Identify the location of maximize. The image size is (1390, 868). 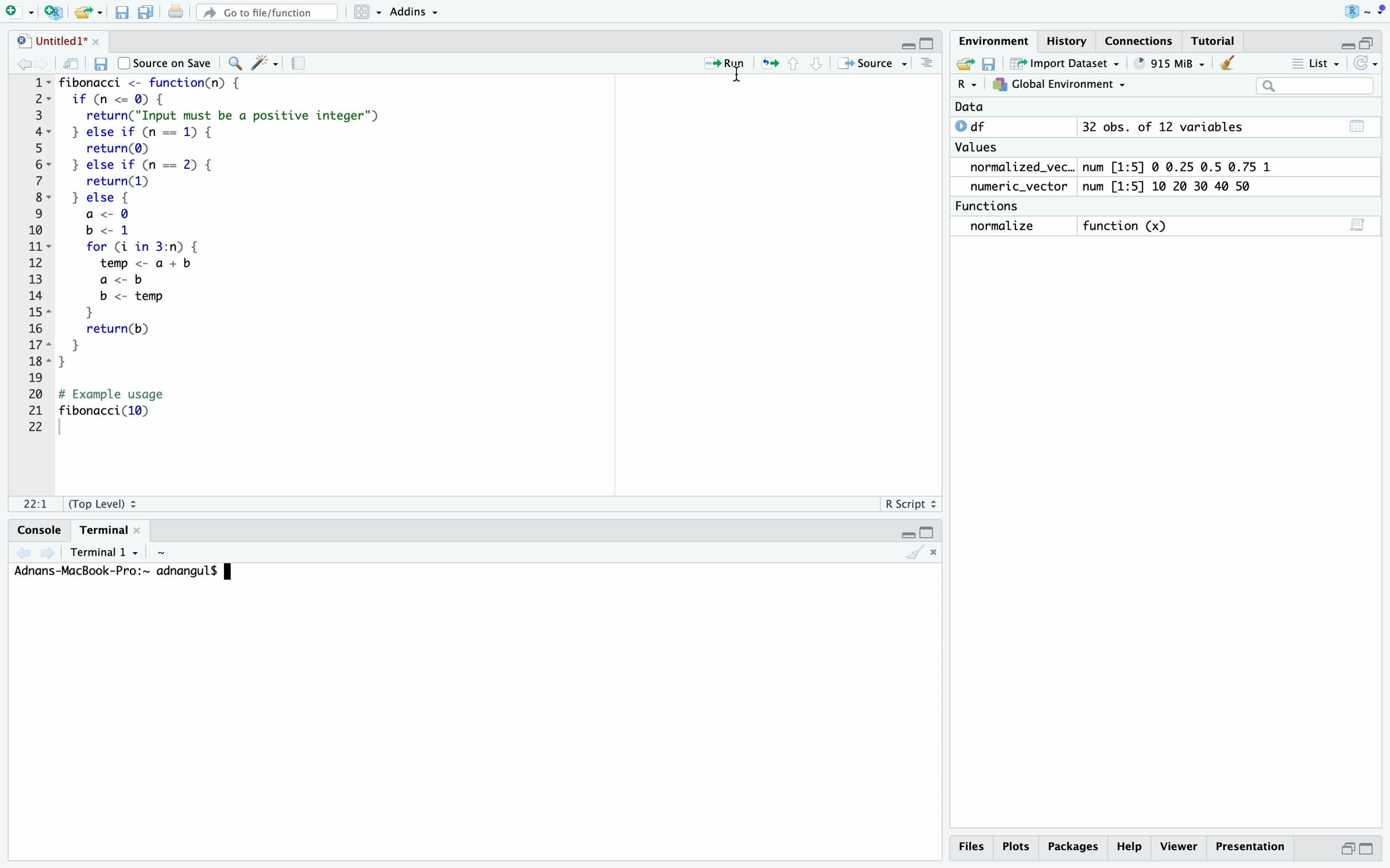
(932, 38).